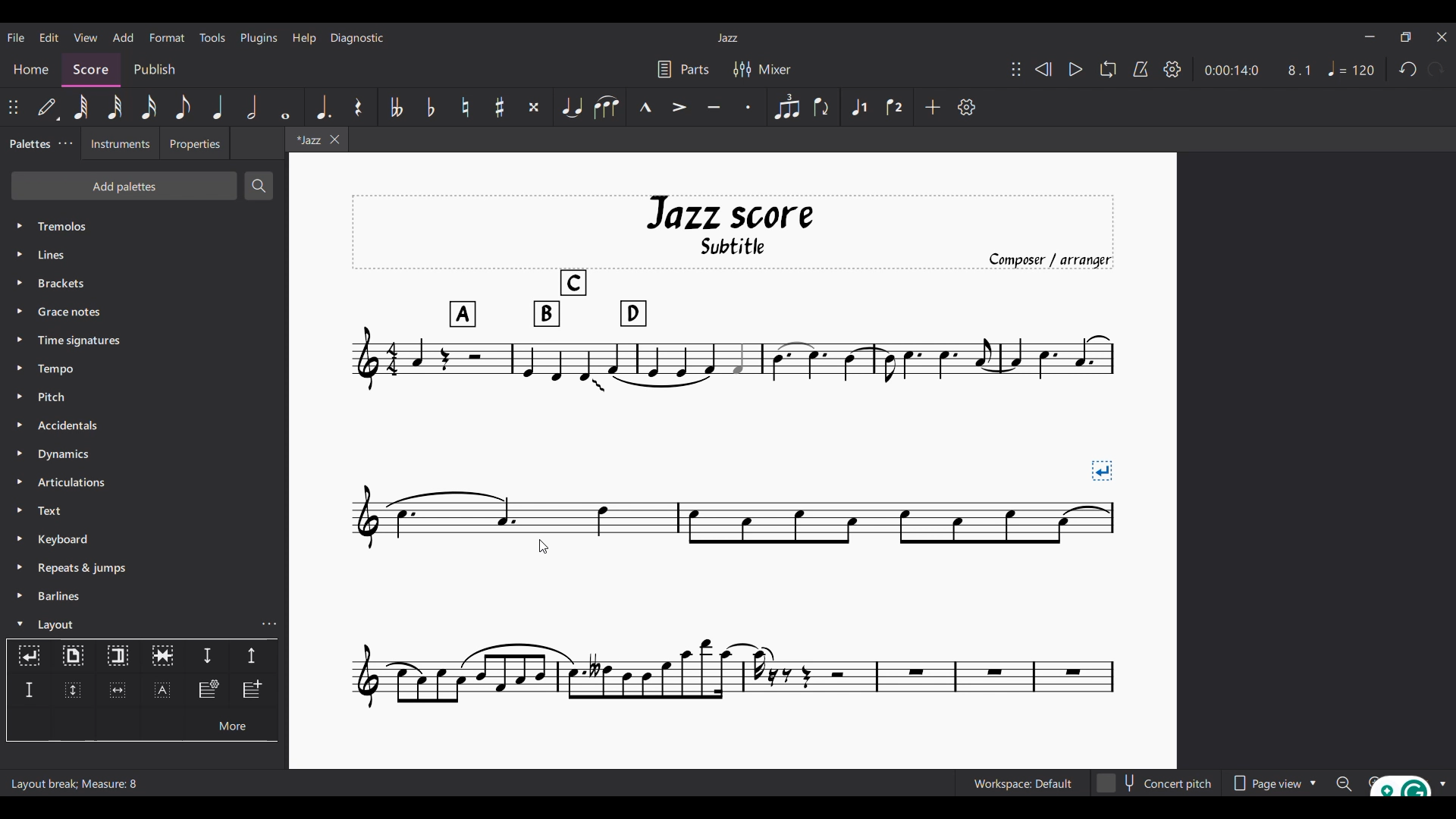 This screenshot has width=1456, height=819. Describe the element at coordinates (1076, 69) in the screenshot. I see `Play` at that location.